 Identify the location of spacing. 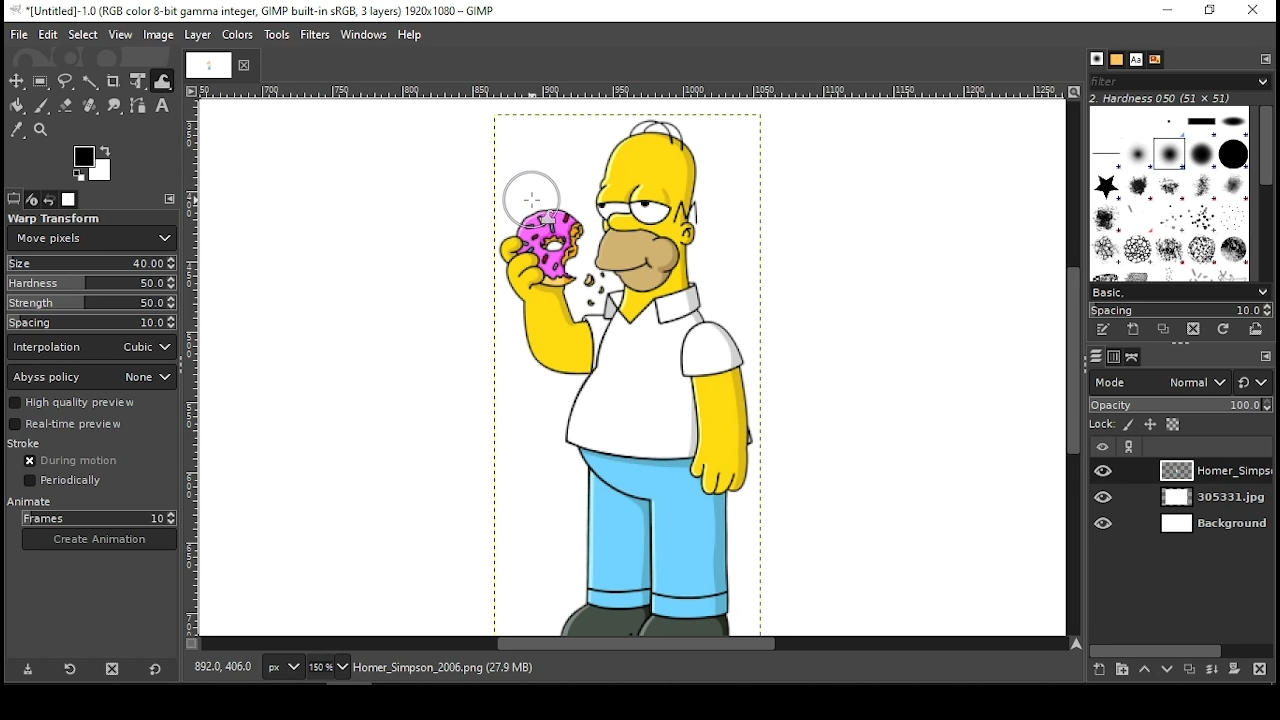
(93, 321).